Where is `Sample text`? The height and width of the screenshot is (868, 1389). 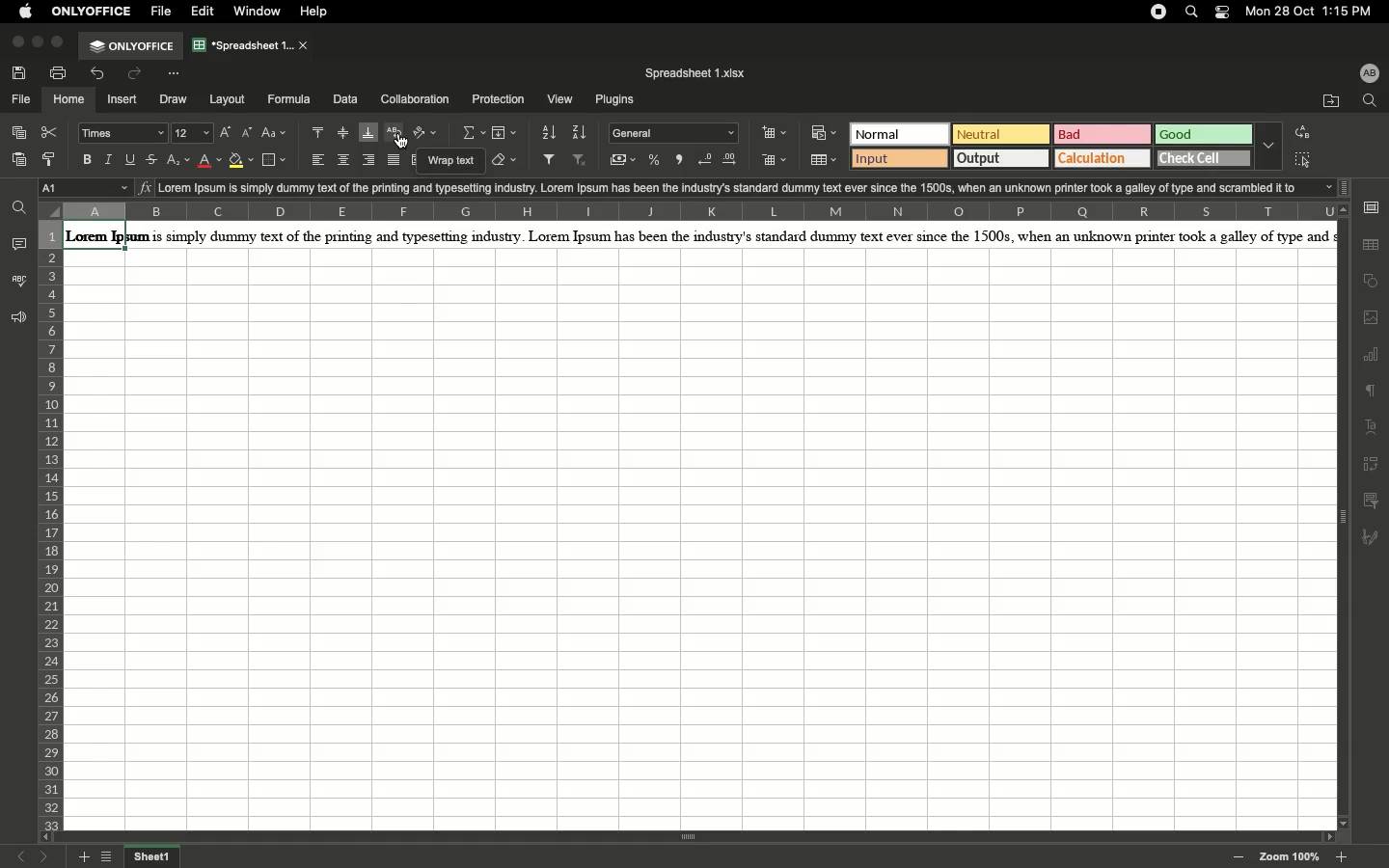
Sample text is located at coordinates (696, 235).